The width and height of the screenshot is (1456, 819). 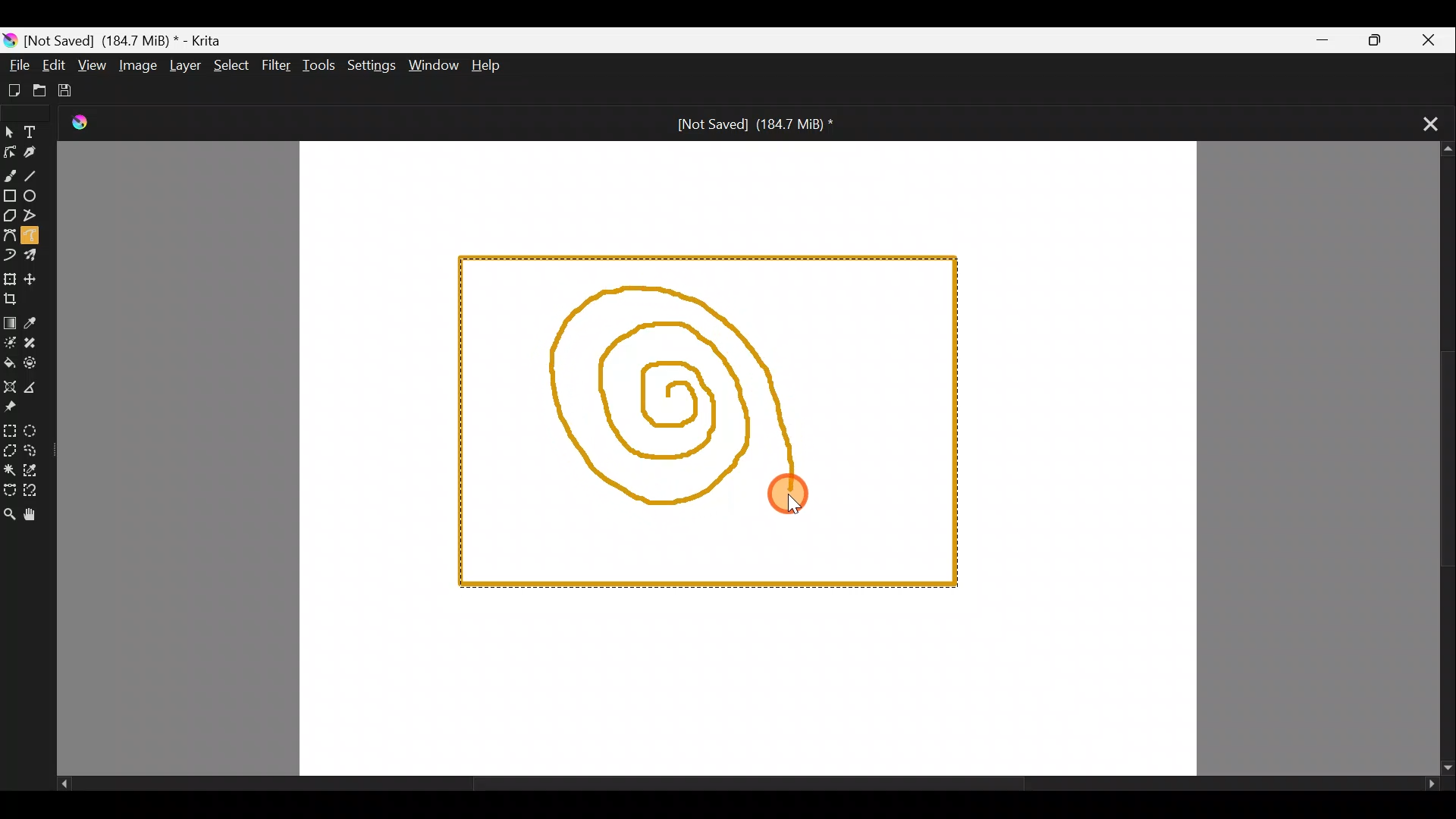 What do you see at coordinates (92, 65) in the screenshot?
I see `View` at bounding box center [92, 65].